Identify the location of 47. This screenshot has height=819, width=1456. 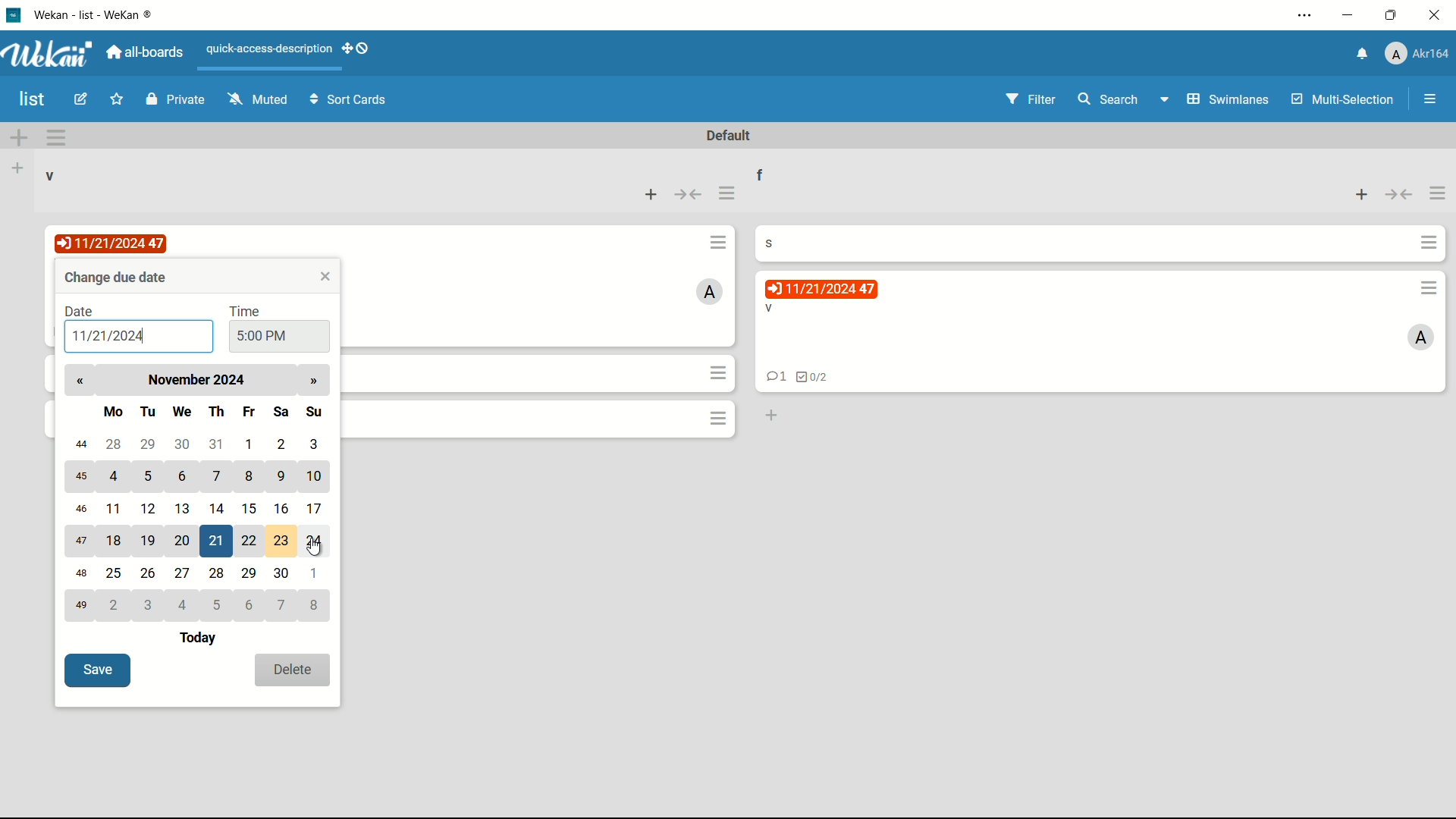
(80, 541).